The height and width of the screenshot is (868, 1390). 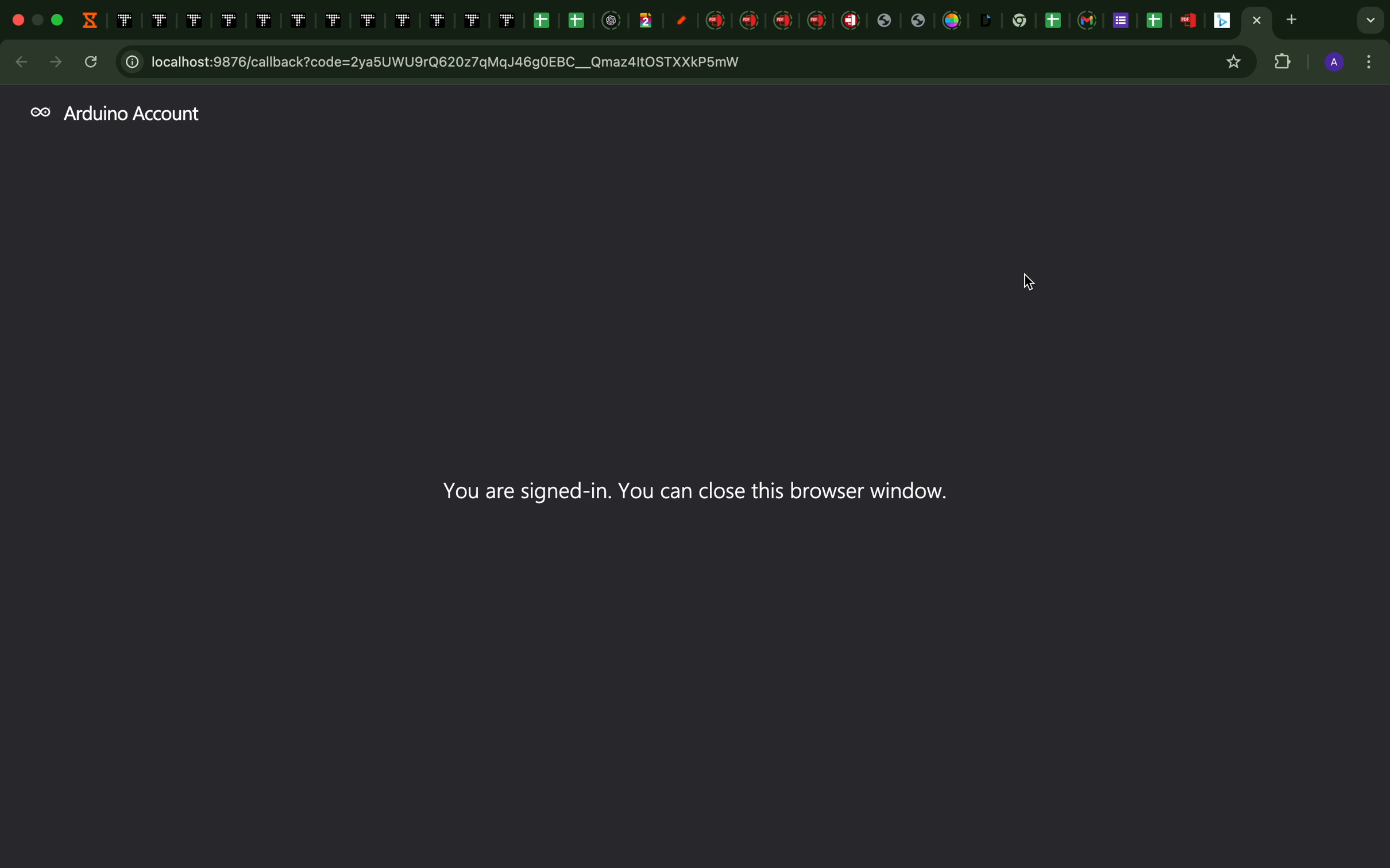 I want to click on browser settings , so click(x=1373, y=63).